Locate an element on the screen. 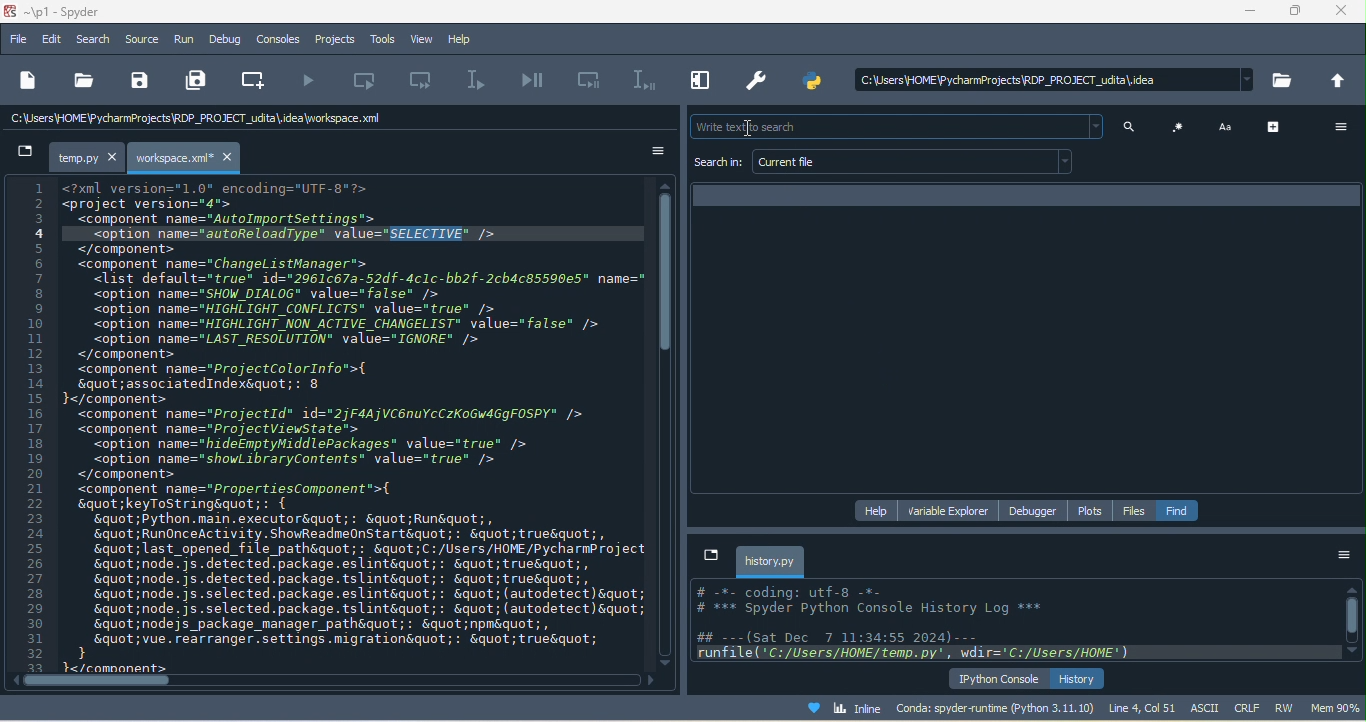 The width and height of the screenshot is (1366, 722). preferences is located at coordinates (759, 78).